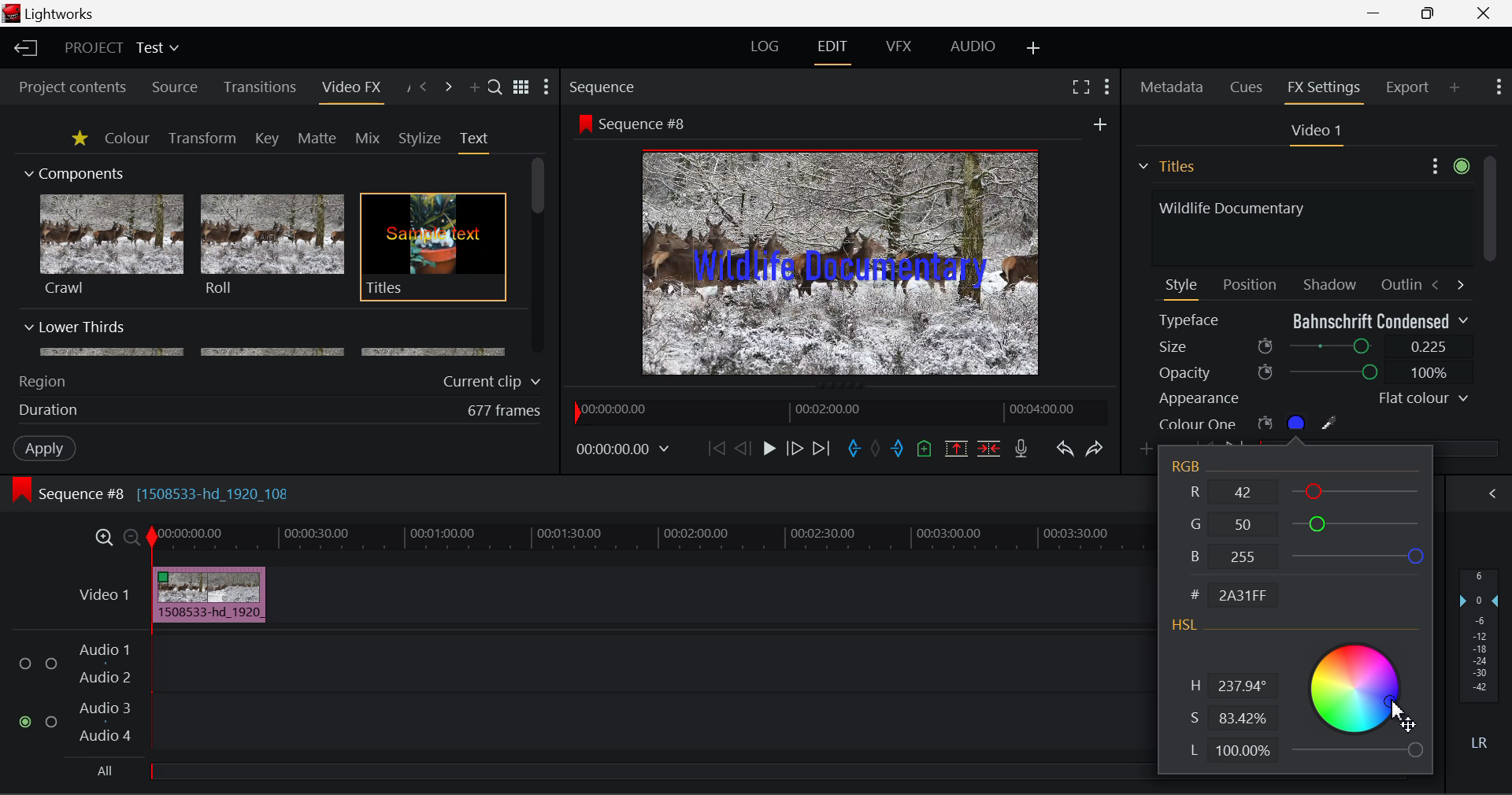 The image size is (1512, 795). Describe the element at coordinates (1314, 320) in the screenshot. I see `Typeface` at that location.